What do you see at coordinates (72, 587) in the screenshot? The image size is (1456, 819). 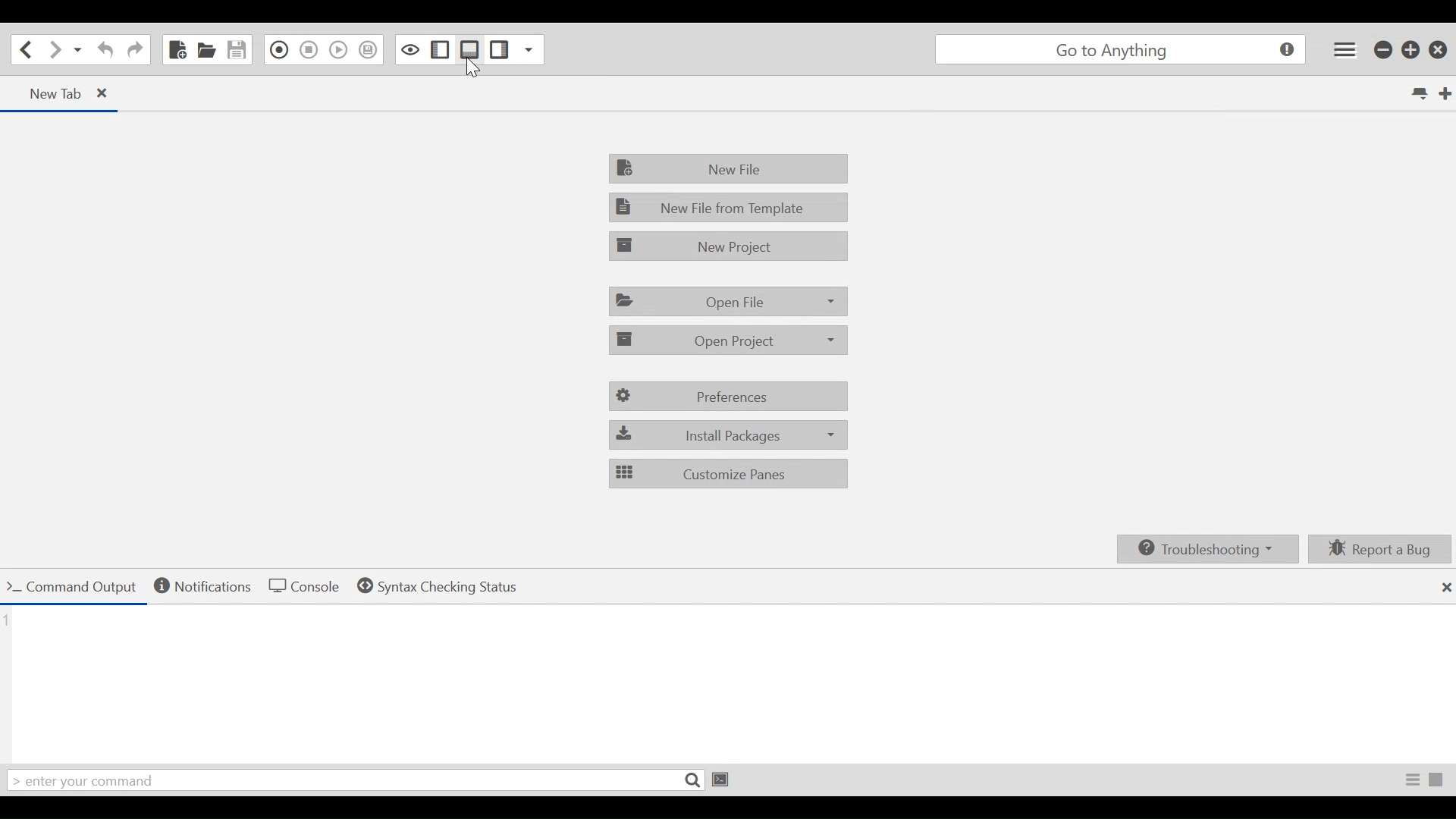 I see `Command Output` at bounding box center [72, 587].